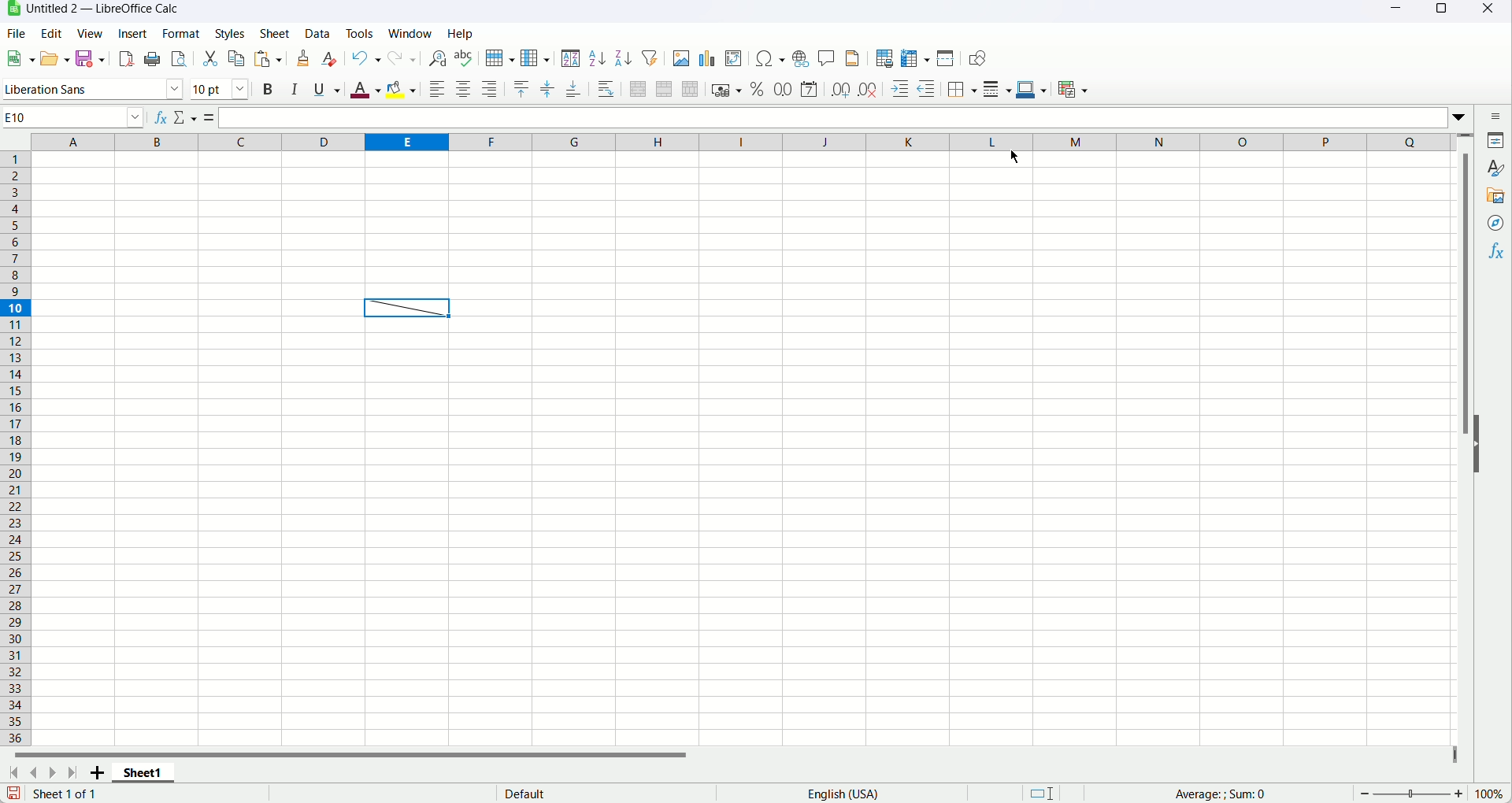  Describe the element at coordinates (94, 60) in the screenshot. I see `Save` at that location.